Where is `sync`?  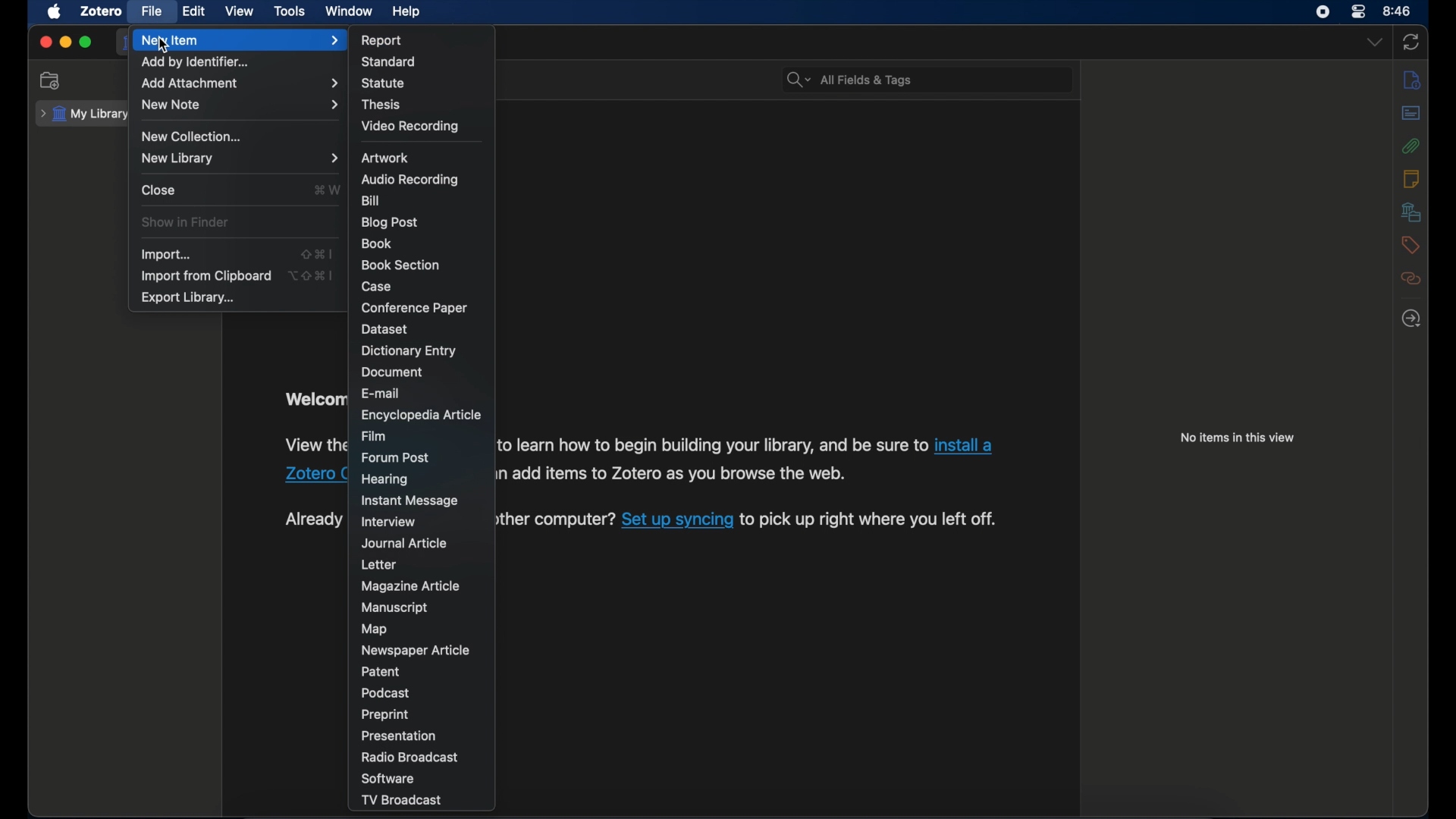
sync is located at coordinates (1410, 43).